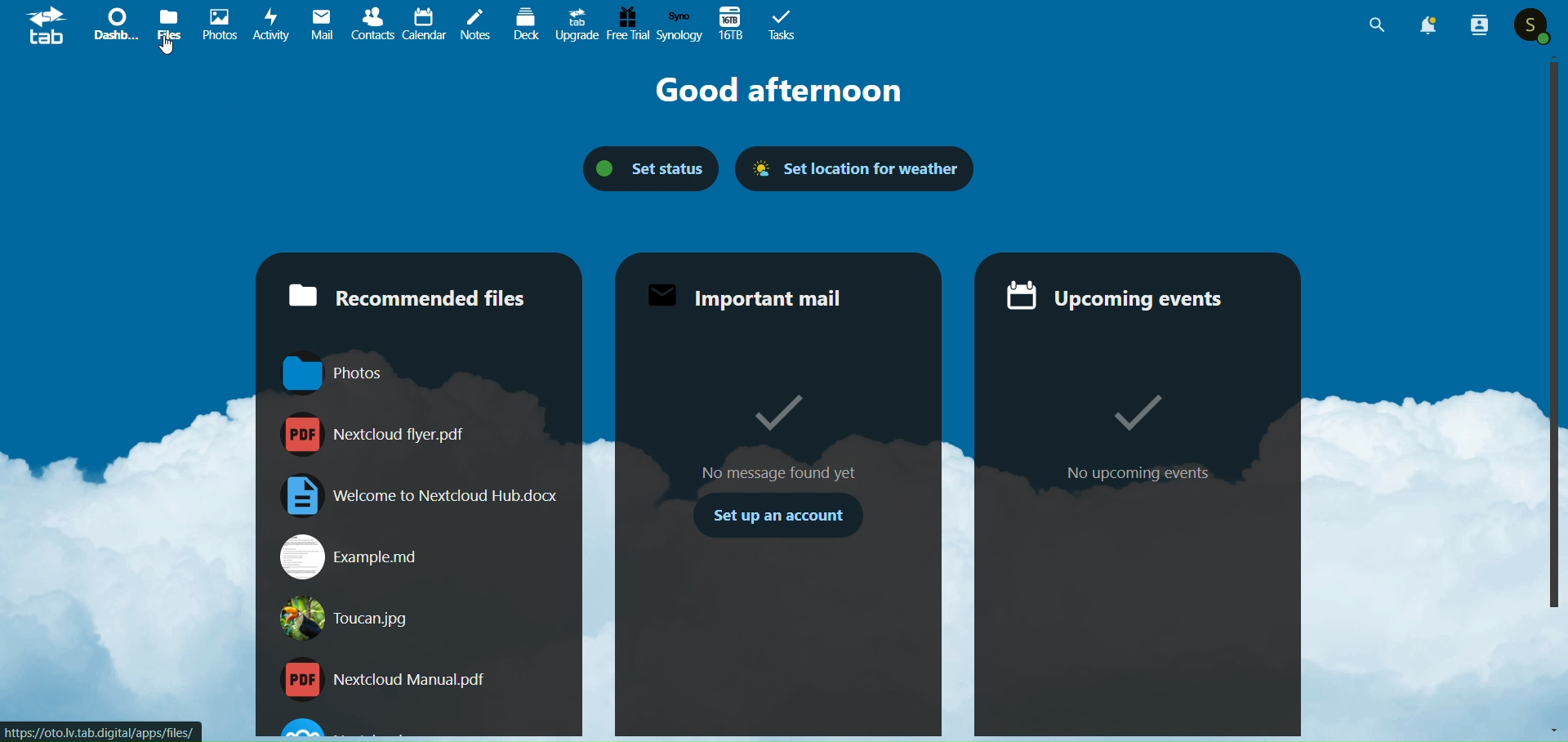  I want to click on notification, so click(1430, 25).